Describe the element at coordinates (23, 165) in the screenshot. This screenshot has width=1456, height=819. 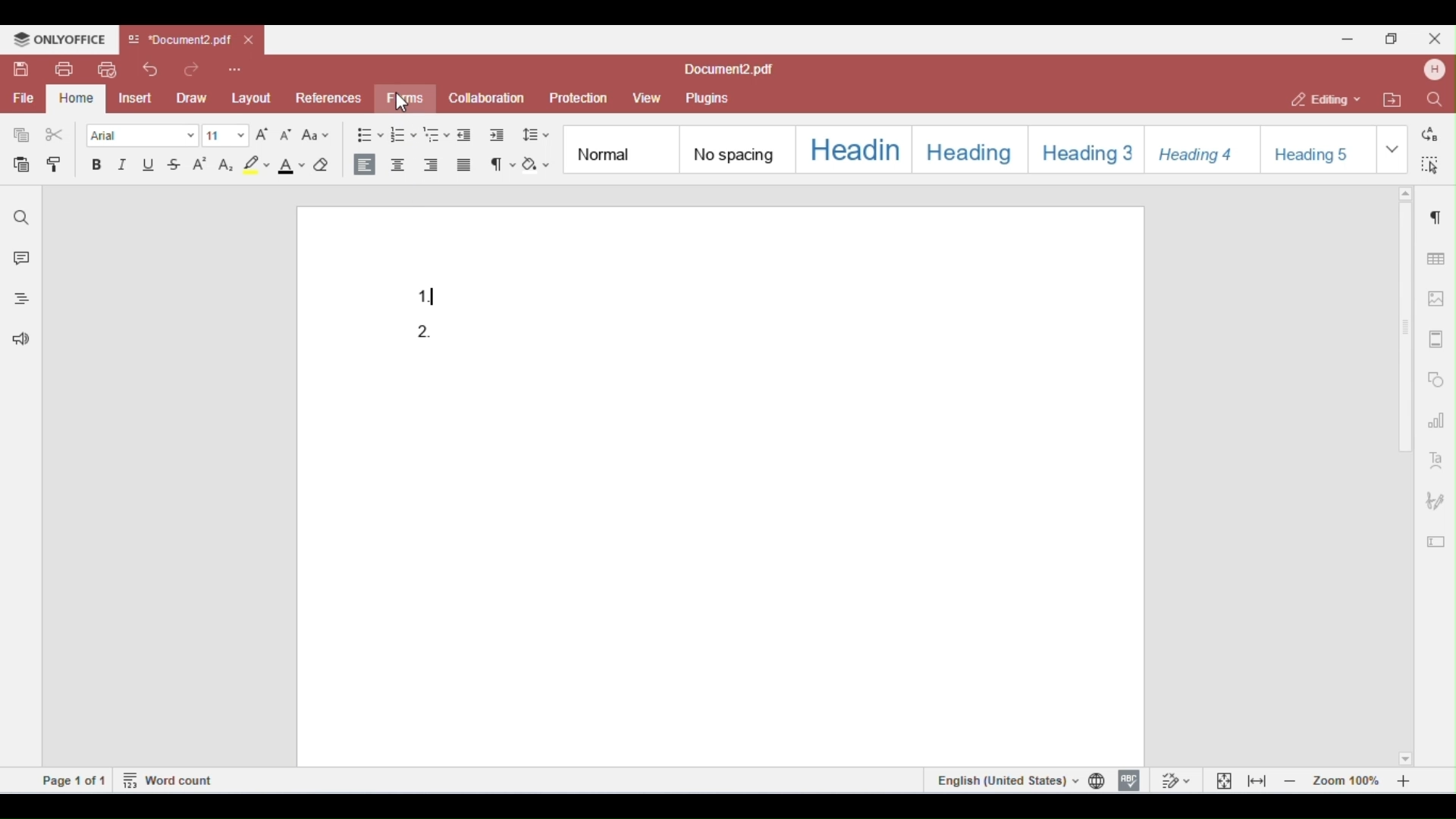
I see `paste` at that location.